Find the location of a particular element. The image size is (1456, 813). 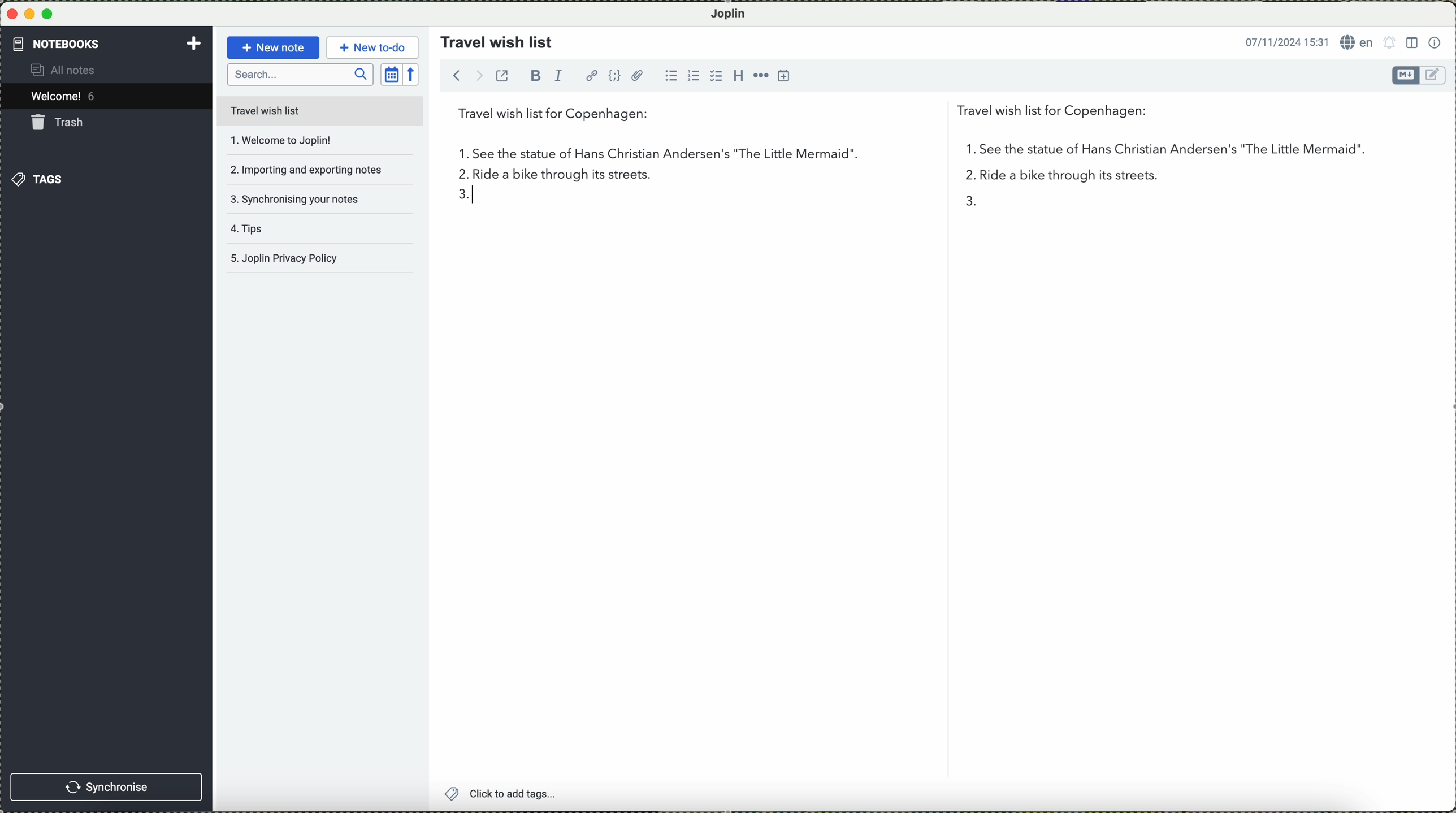

importing and exporting notes is located at coordinates (306, 168).